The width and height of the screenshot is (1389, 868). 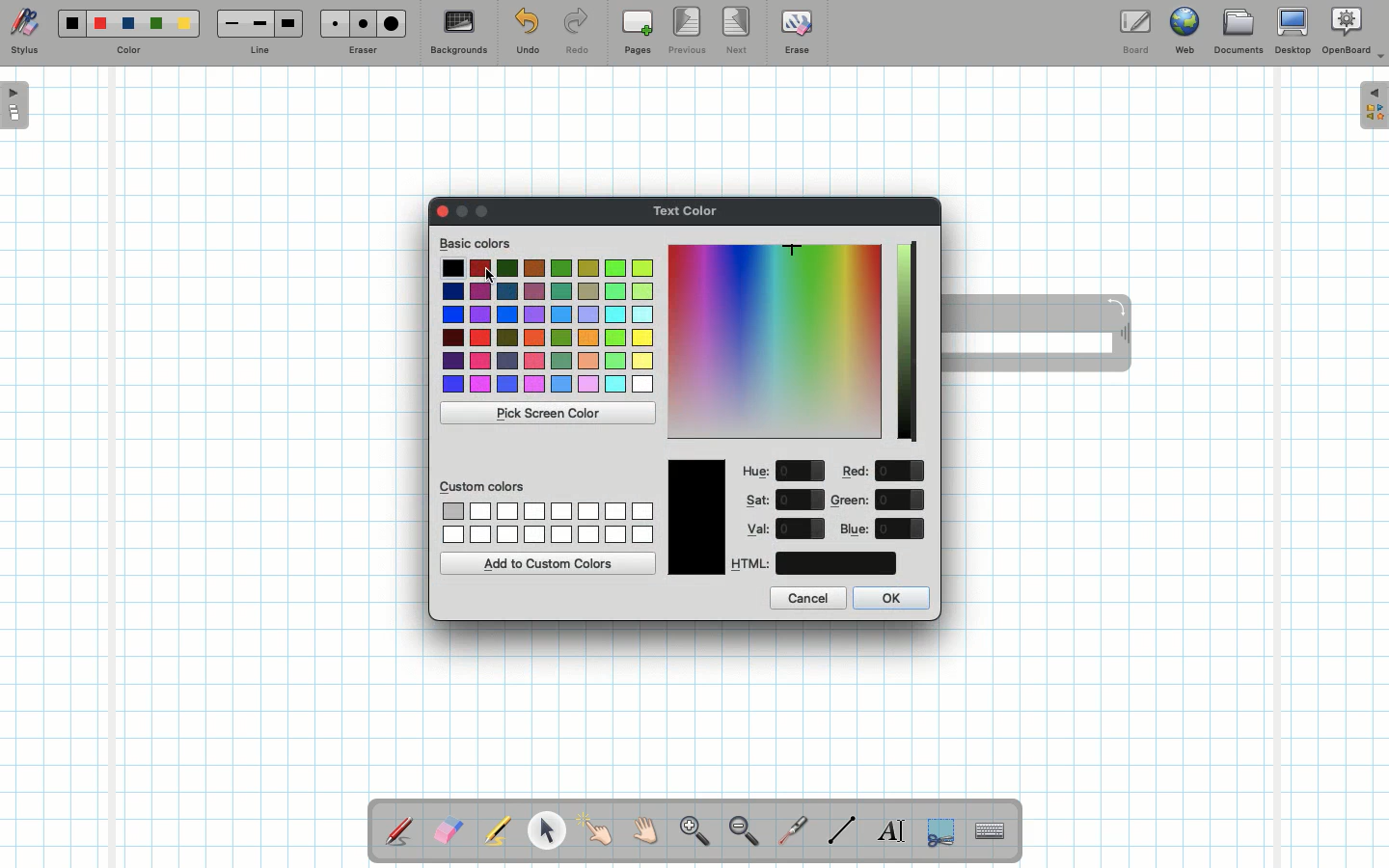 I want to click on Yellow, so click(x=184, y=23).